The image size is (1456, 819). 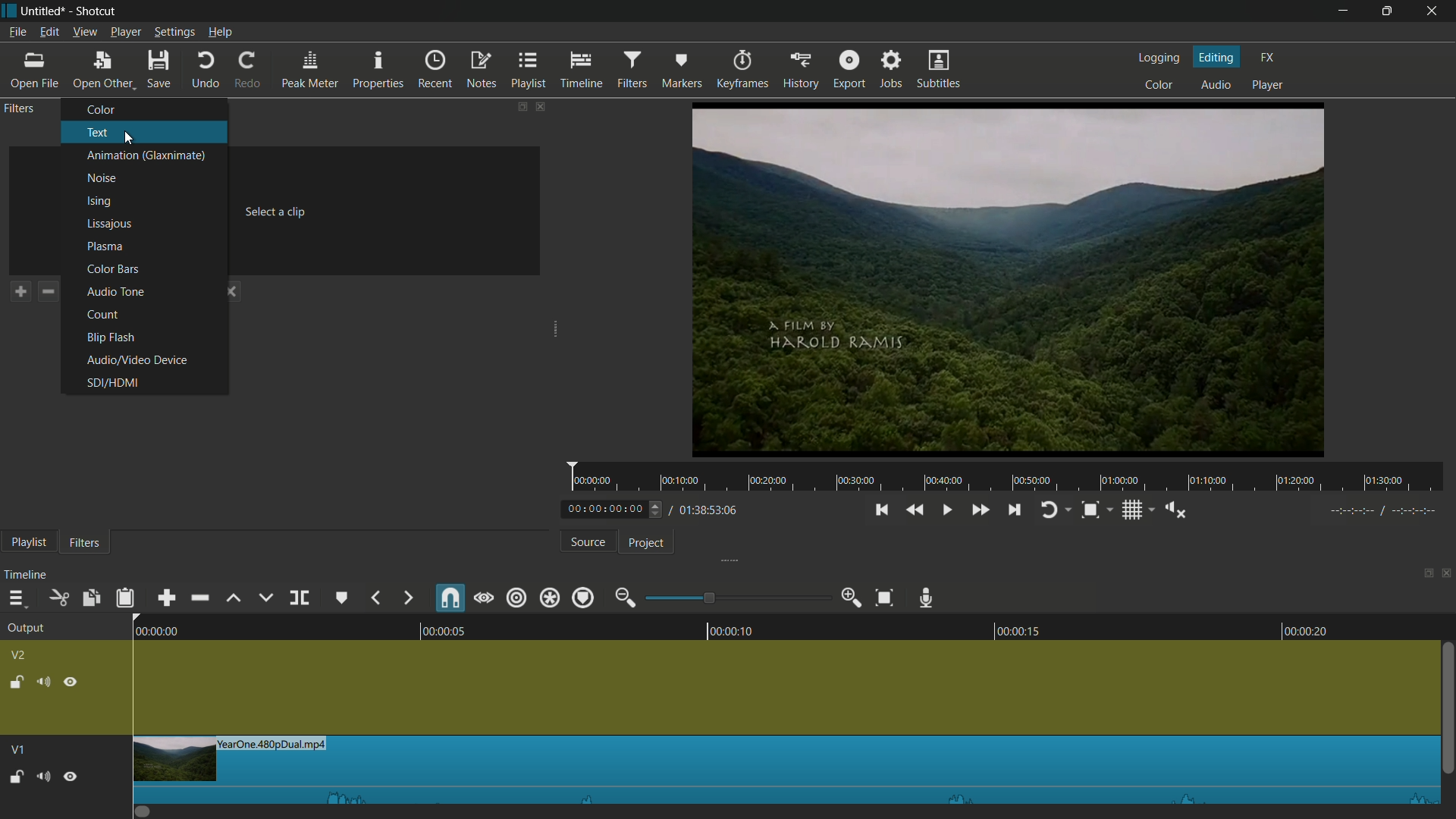 I want to click on toggle snap, so click(x=1090, y=510).